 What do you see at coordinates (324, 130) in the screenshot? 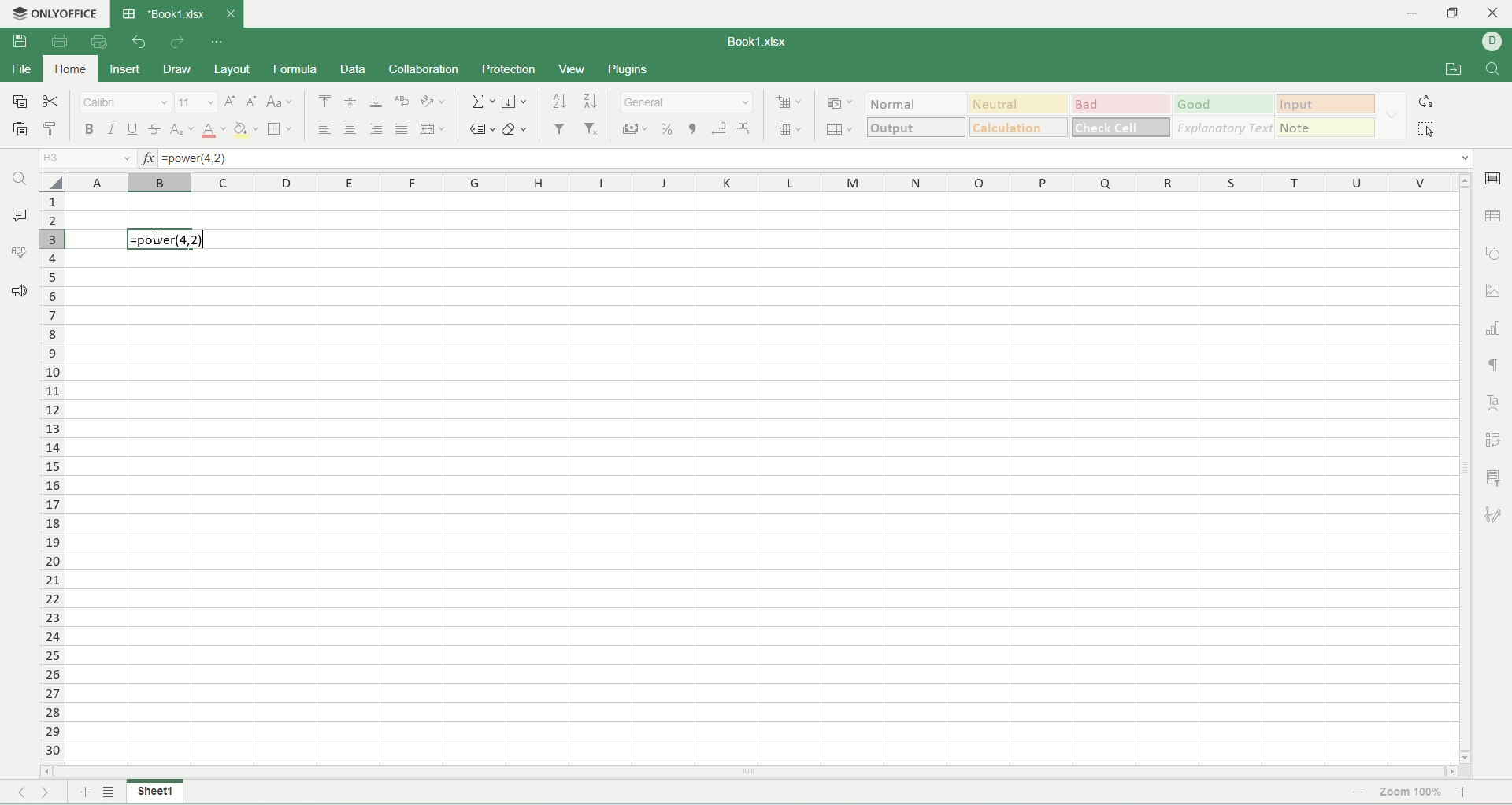
I see `align left` at bounding box center [324, 130].